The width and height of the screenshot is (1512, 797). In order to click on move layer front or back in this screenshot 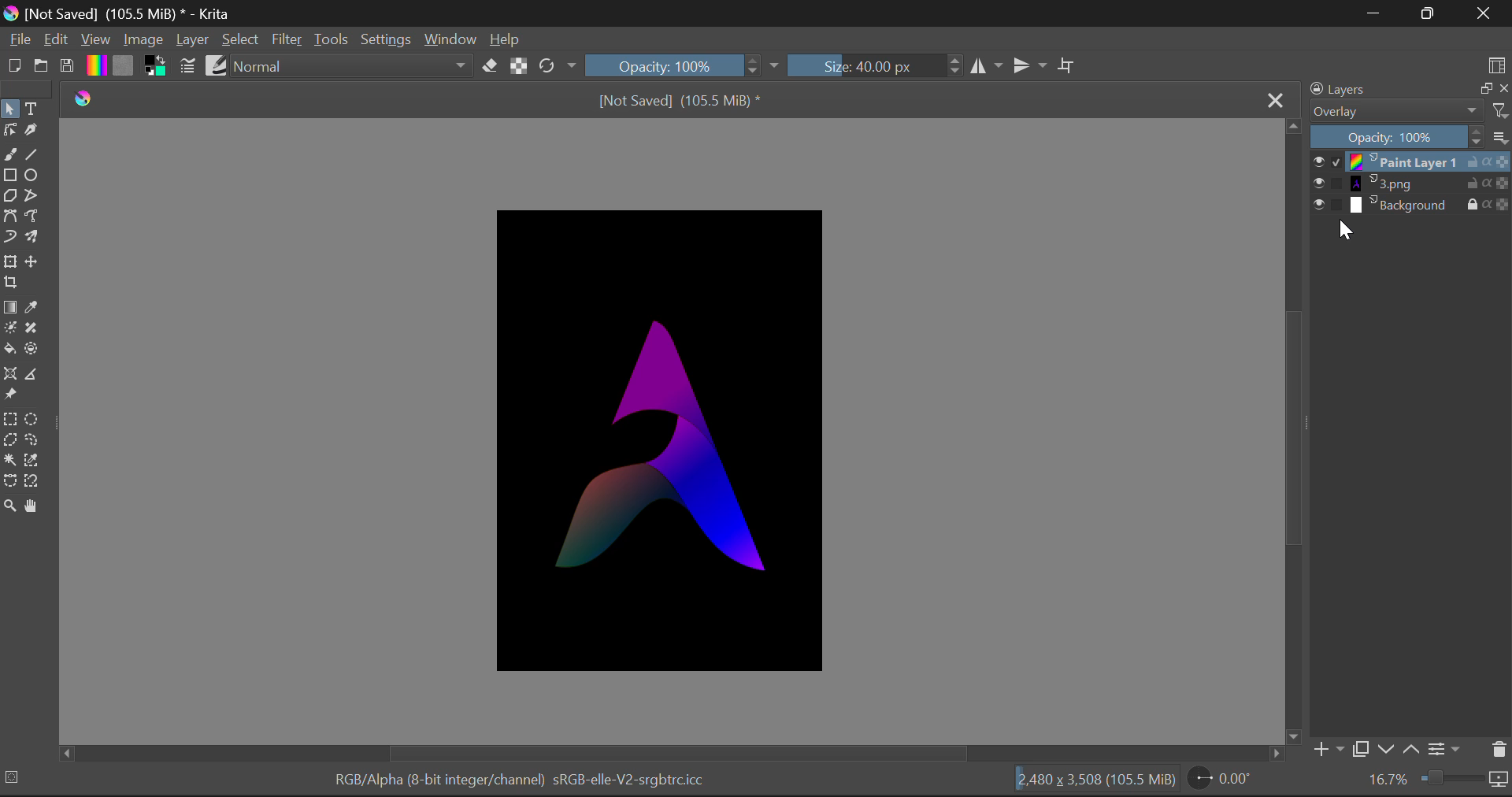, I will do `click(1402, 751)`.